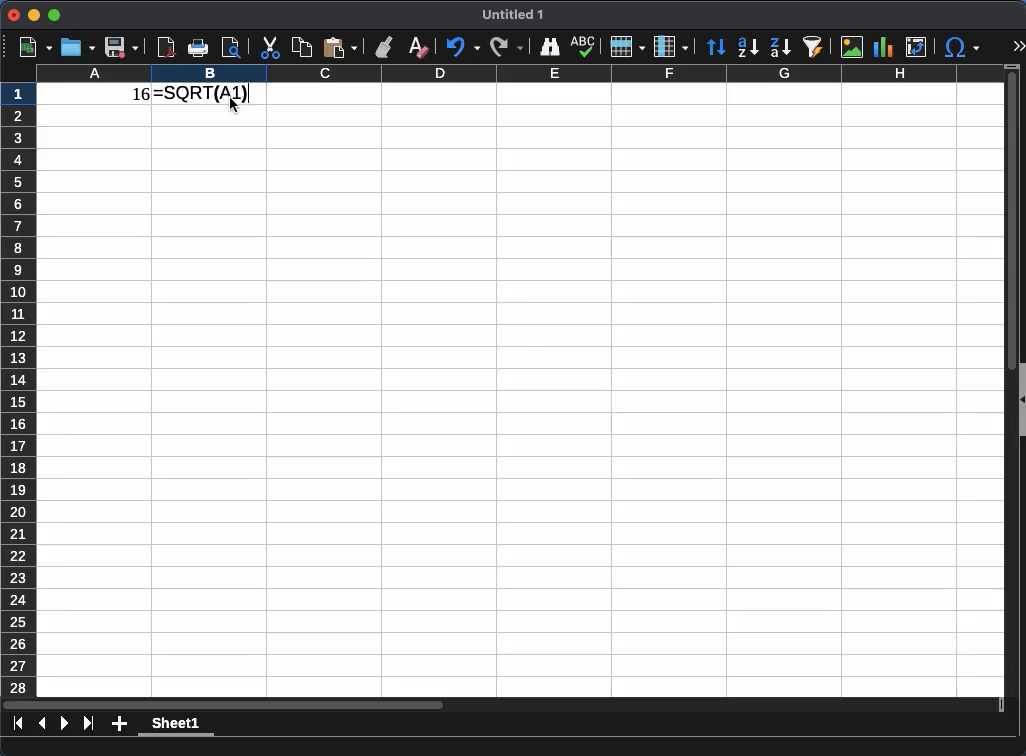 The width and height of the screenshot is (1026, 756). I want to click on image, so click(852, 48).